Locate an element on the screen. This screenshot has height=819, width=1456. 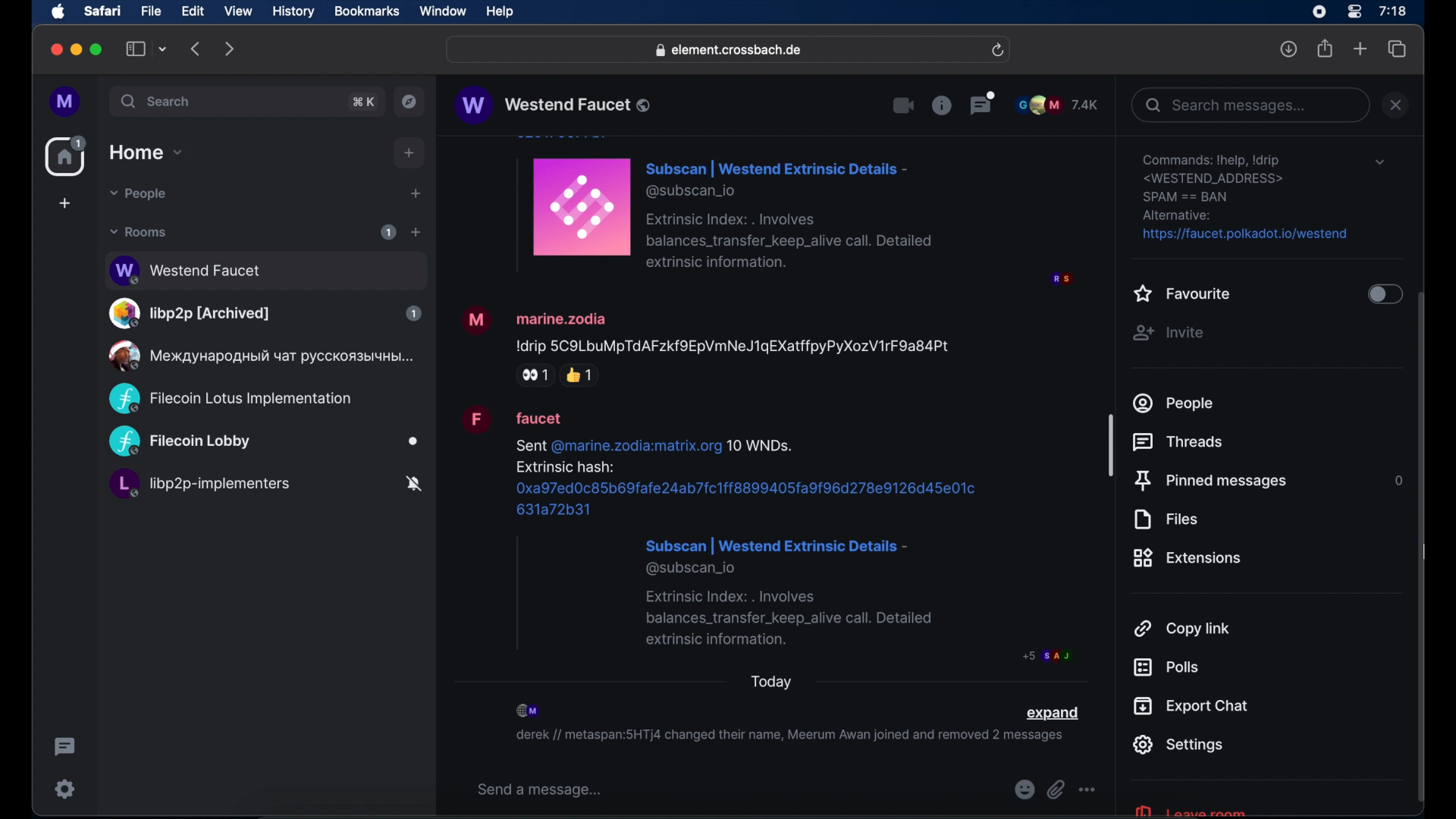
public room is located at coordinates (264, 442).